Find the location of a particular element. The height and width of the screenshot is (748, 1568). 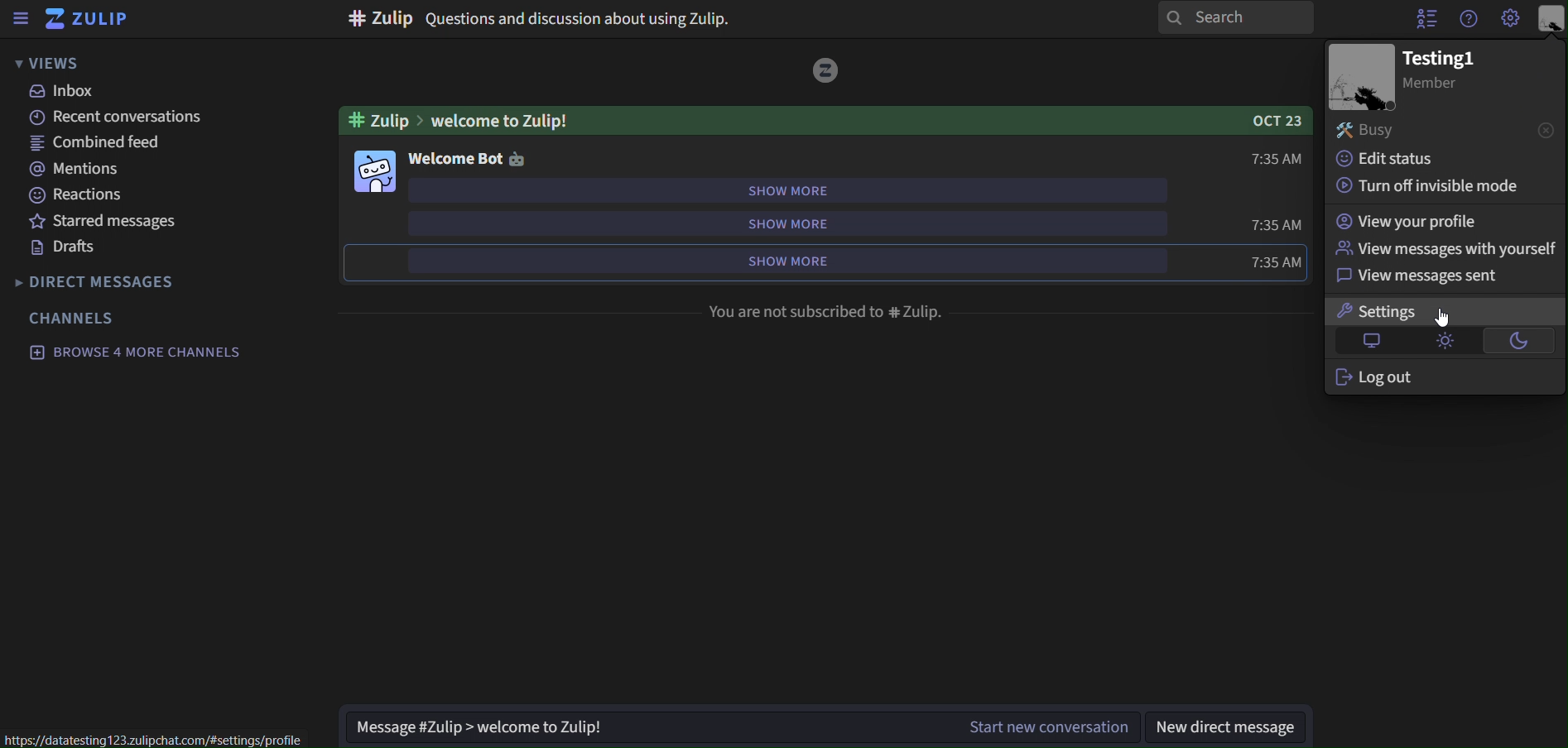

hide sidebar is located at coordinates (22, 21).